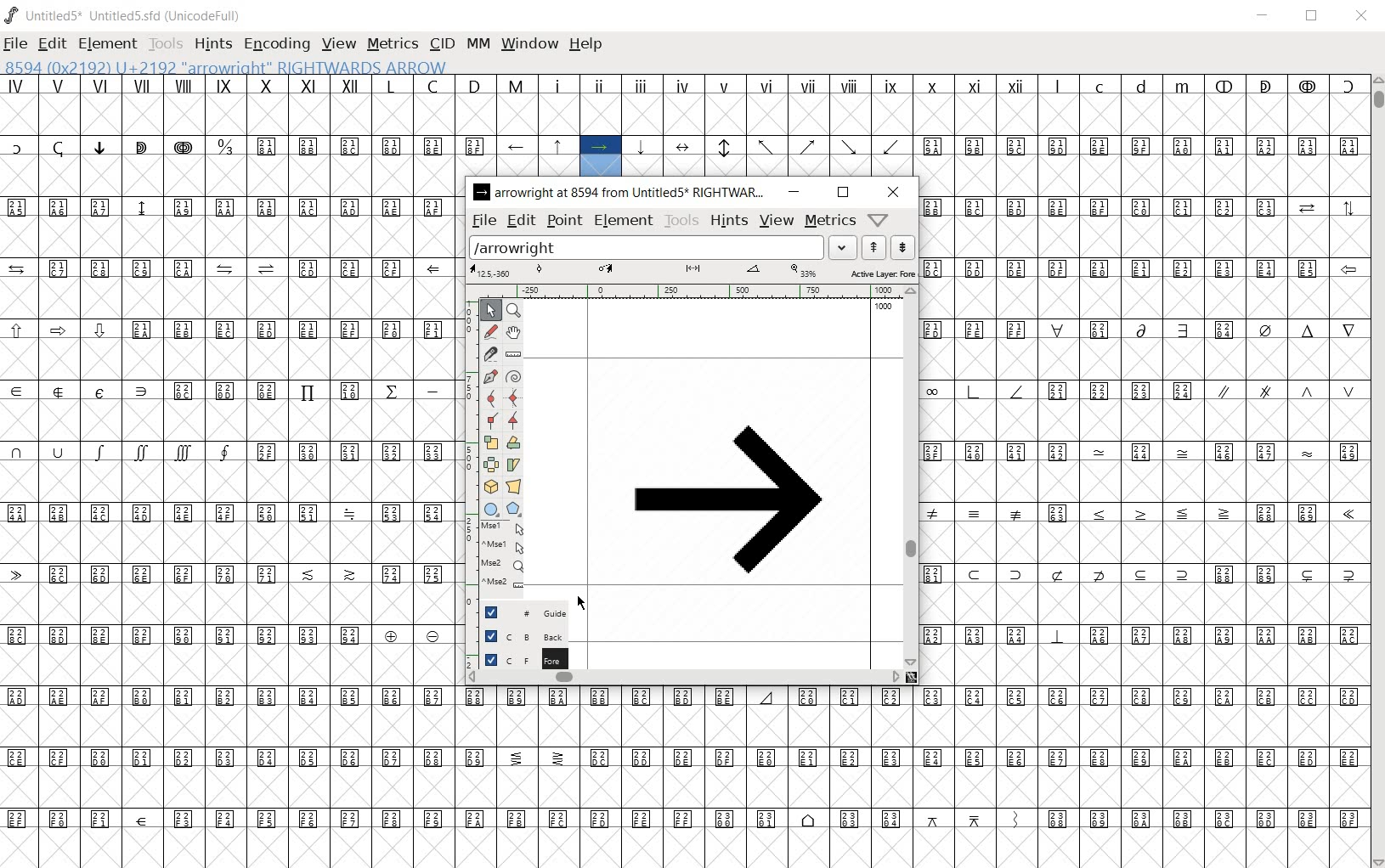 The image size is (1385, 868). Describe the element at coordinates (872, 247) in the screenshot. I see `show the next word on the list` at that location.